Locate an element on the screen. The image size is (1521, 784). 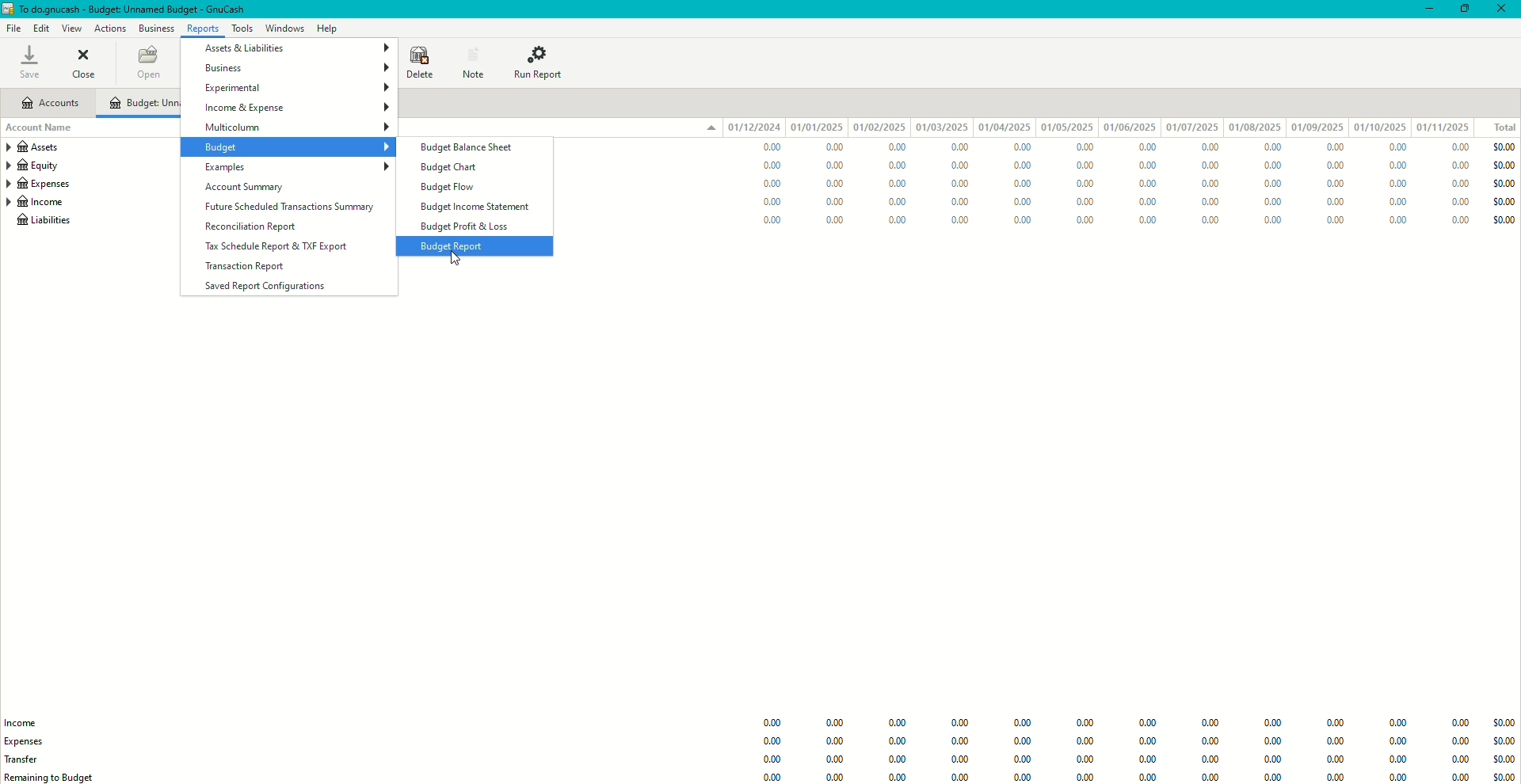
0.00 is located at coordinates (902, 164).